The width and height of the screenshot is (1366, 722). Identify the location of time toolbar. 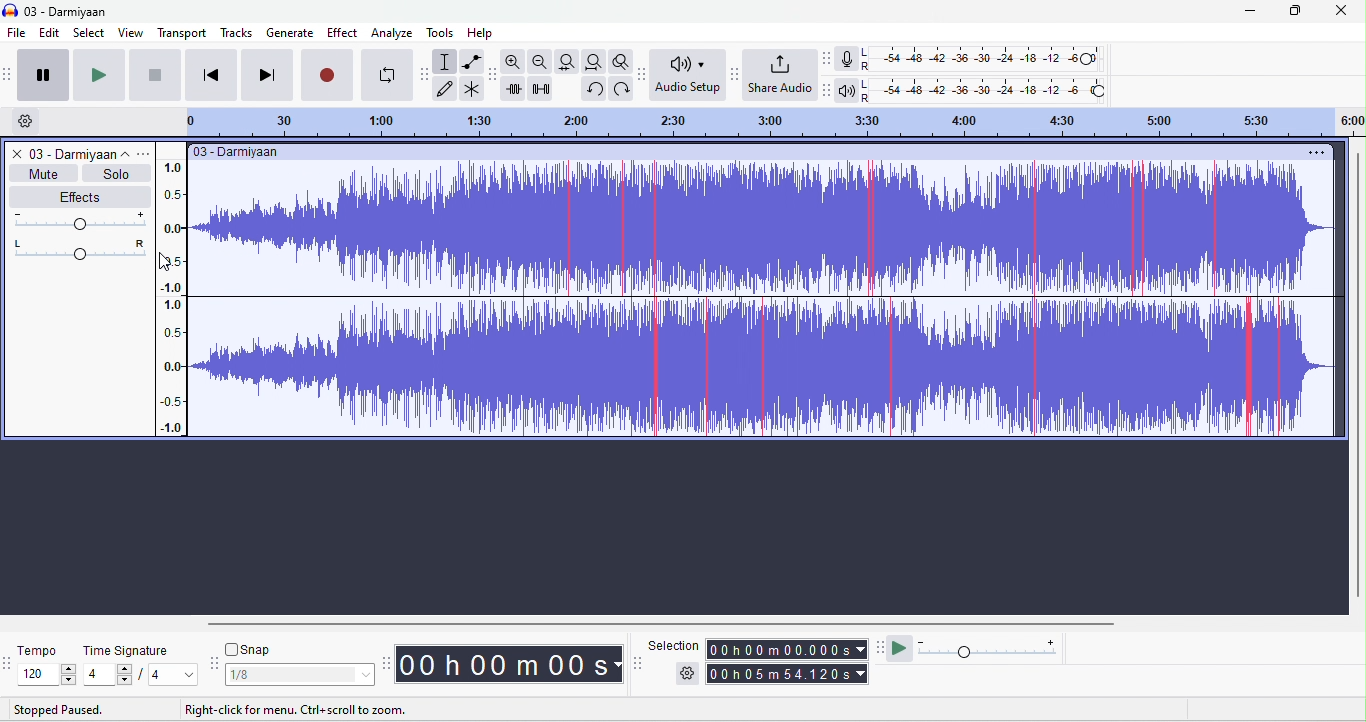
(389, 664).